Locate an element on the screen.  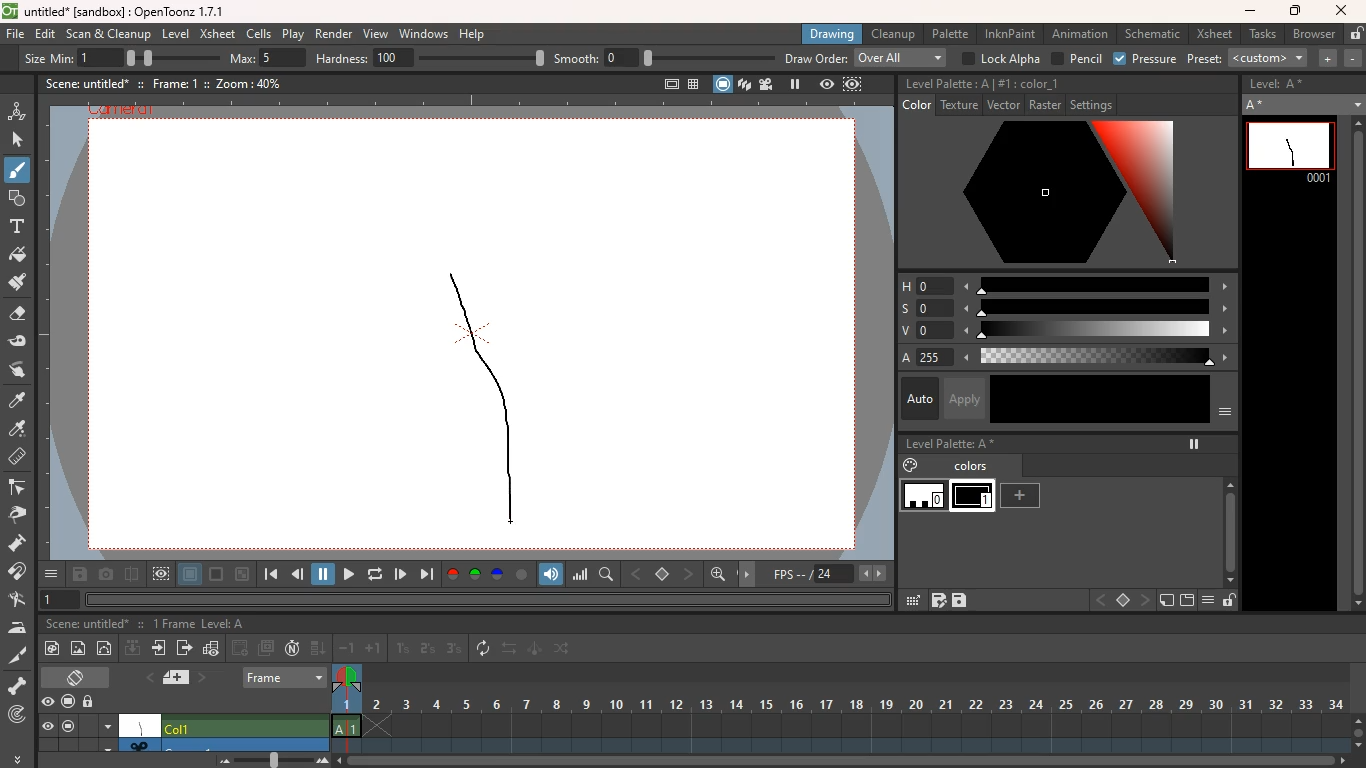
+1 is located at coordinates (374, 650).